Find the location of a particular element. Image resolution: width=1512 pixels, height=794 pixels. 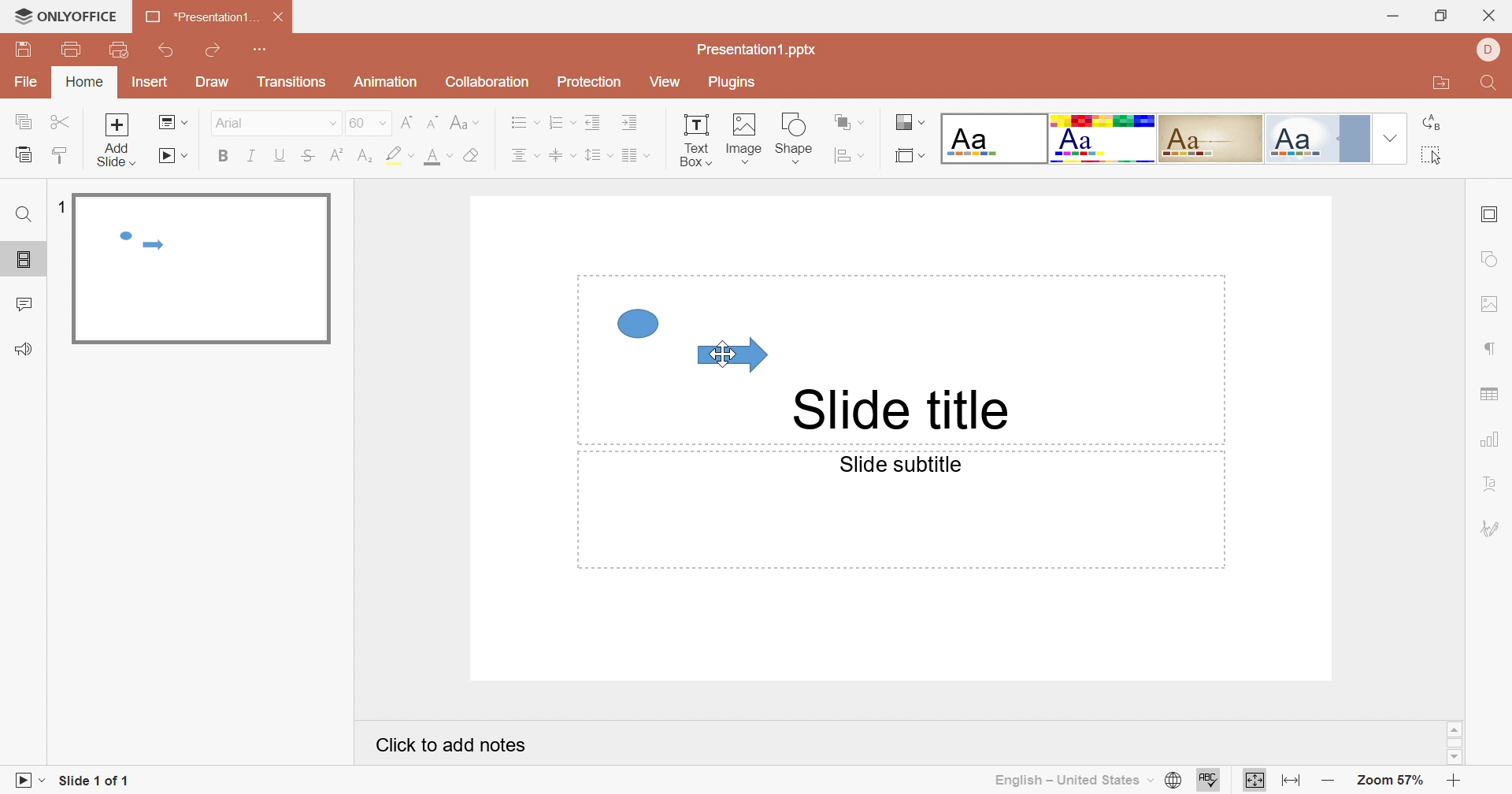

Click to add notes is located at coordinates (448, 746).